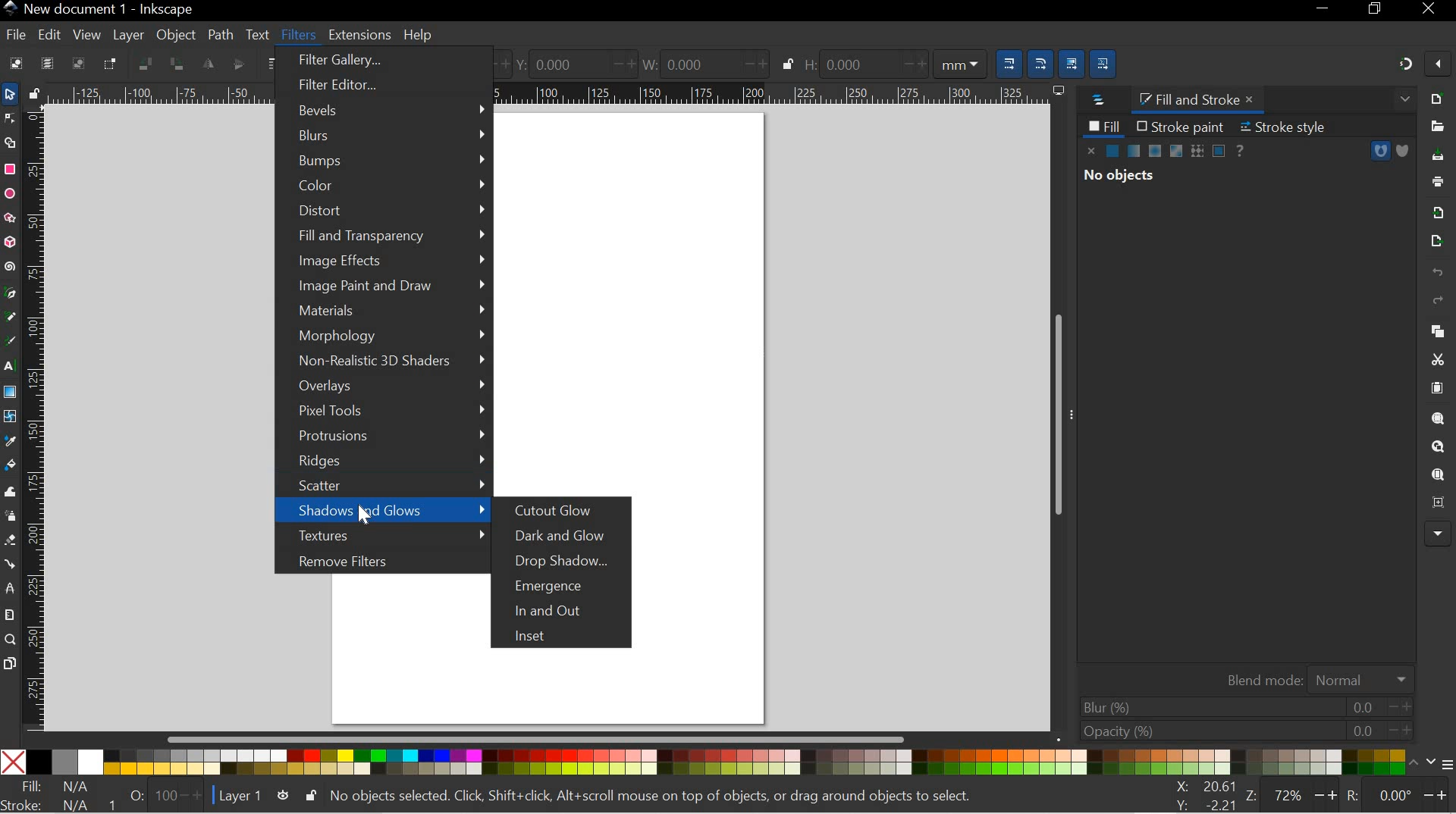 This screenshot has height=814, width=1456. What do you see at coordinates (378, 559) in the screenshot?
I see `REMOVE FILTERS` at bounding box center [378, 559].